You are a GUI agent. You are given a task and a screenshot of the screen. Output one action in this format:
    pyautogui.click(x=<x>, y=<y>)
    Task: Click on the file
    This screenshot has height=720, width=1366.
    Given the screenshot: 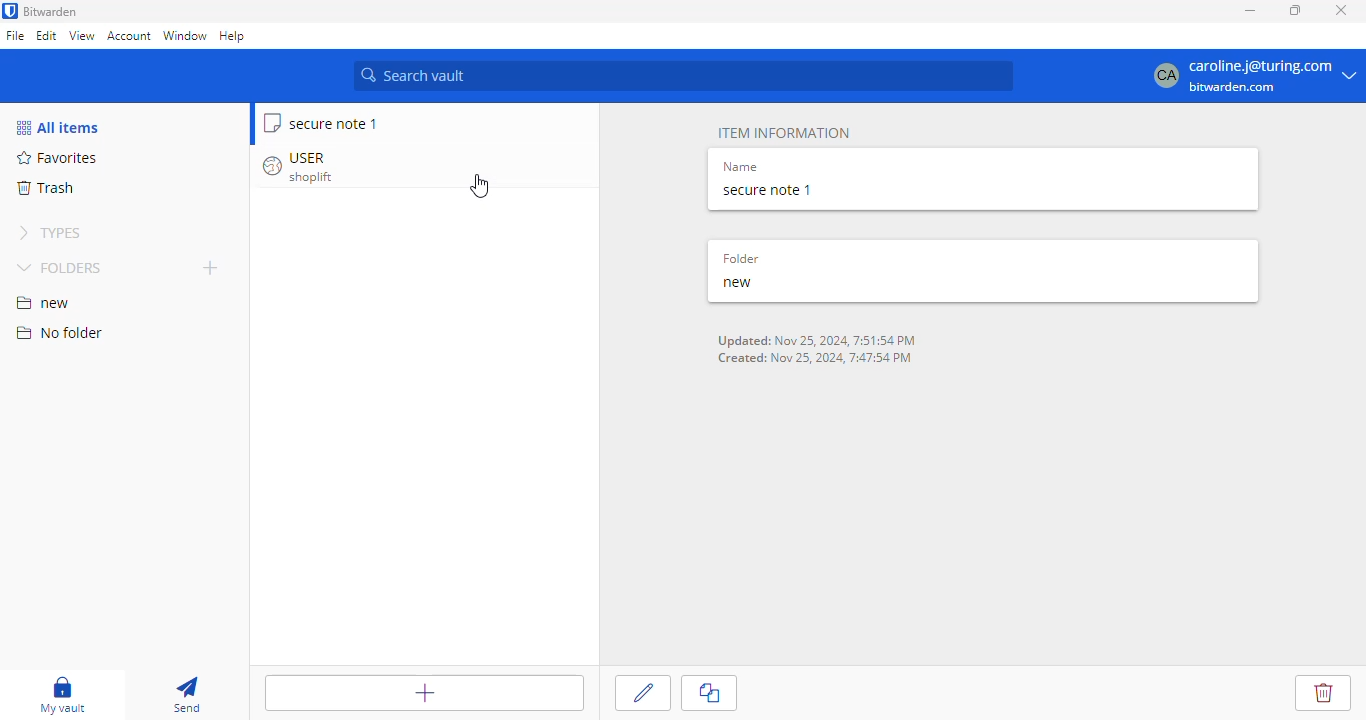 What is the action you would take?
    pyautogui.click(x=15, y=35)
    